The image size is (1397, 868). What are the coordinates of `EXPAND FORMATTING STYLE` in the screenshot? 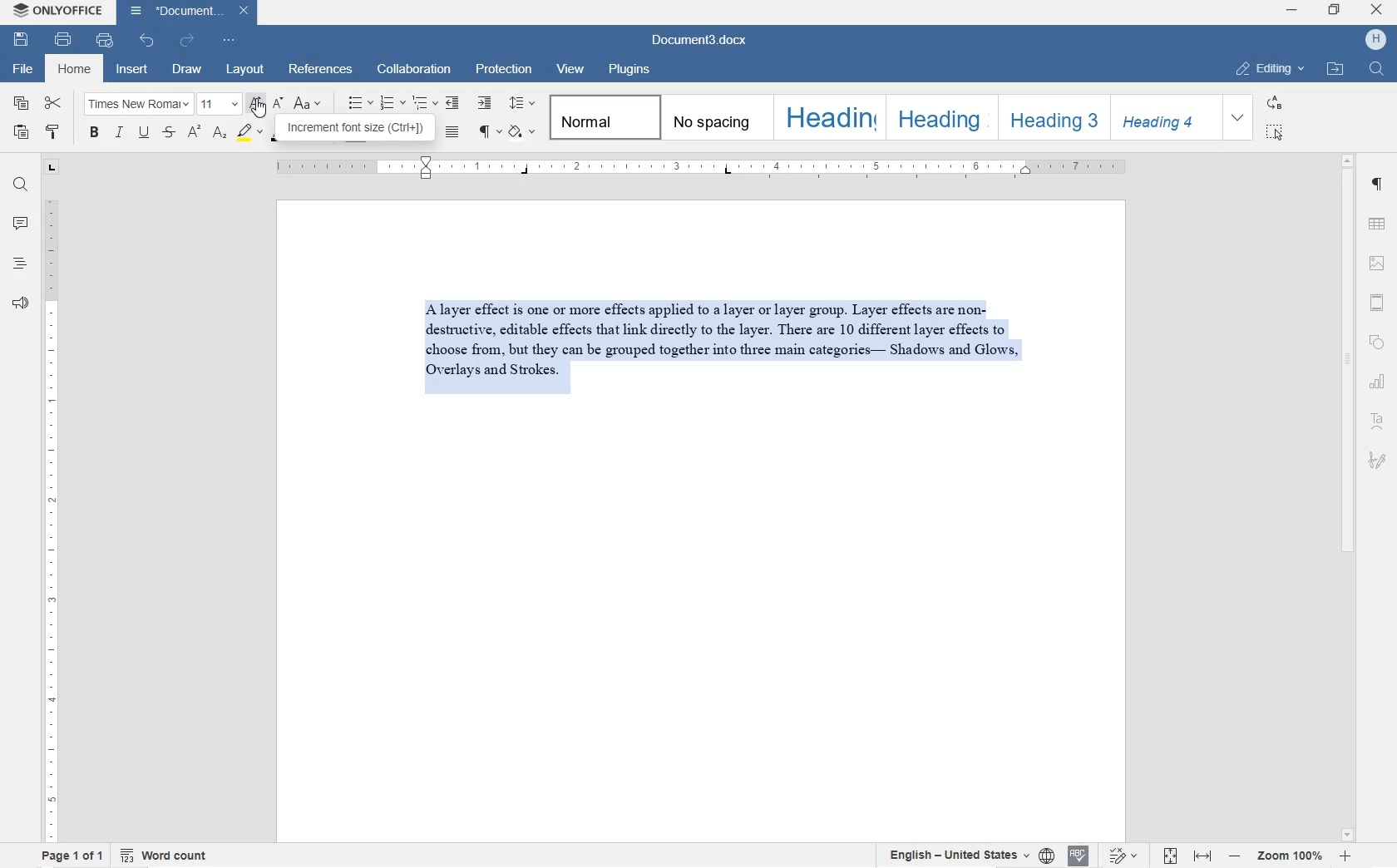 It's located at (1240, 119).